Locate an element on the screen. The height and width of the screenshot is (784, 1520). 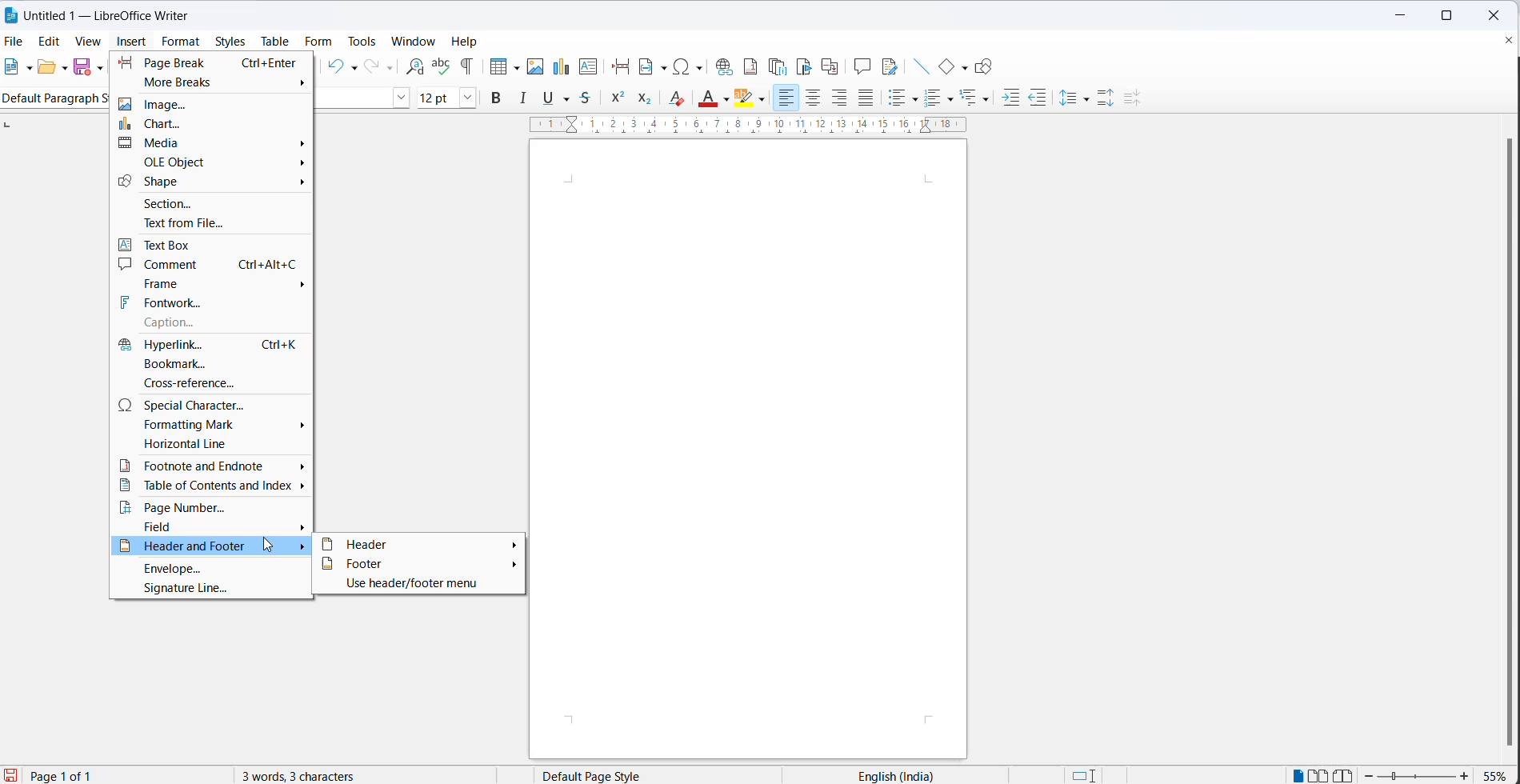
chart is located at coordinates (211, 124).